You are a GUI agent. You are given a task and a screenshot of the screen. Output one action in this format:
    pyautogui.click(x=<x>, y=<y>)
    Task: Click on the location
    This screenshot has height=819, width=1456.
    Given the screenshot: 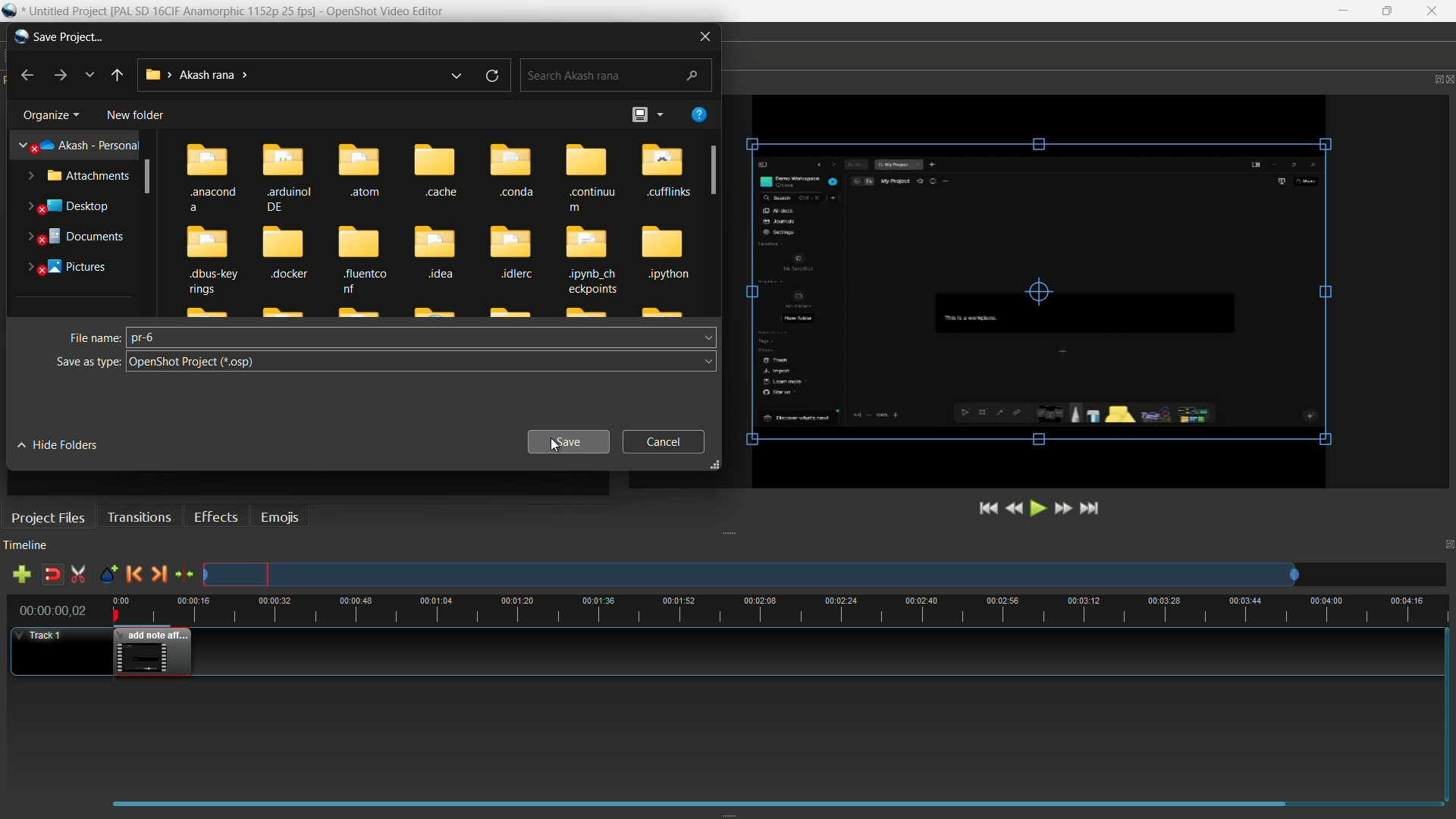 What is the action you would take?
    pyautogui.click(x=196, y=75)
    